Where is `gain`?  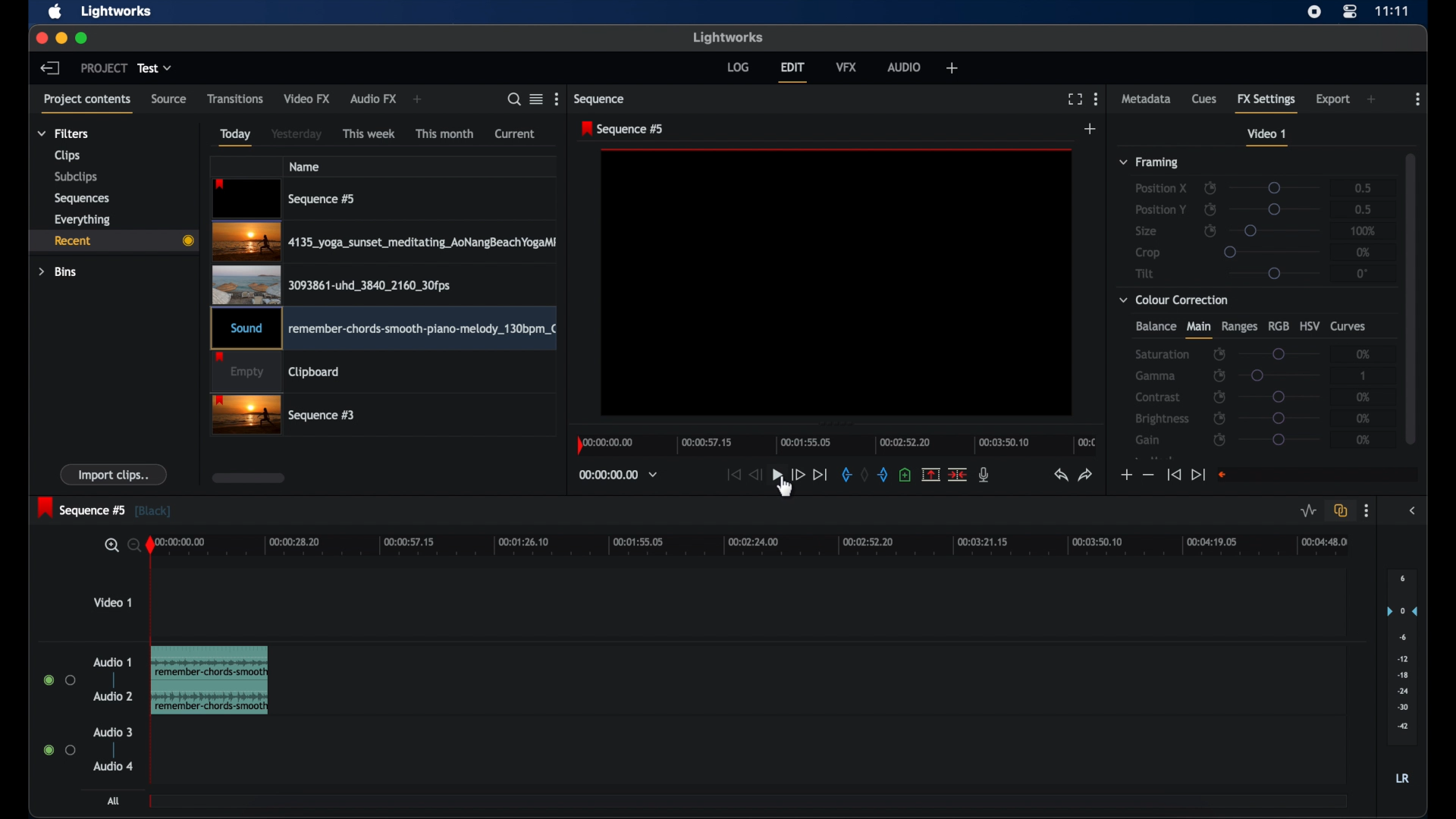
gain is located at coordinates (1150, 440).